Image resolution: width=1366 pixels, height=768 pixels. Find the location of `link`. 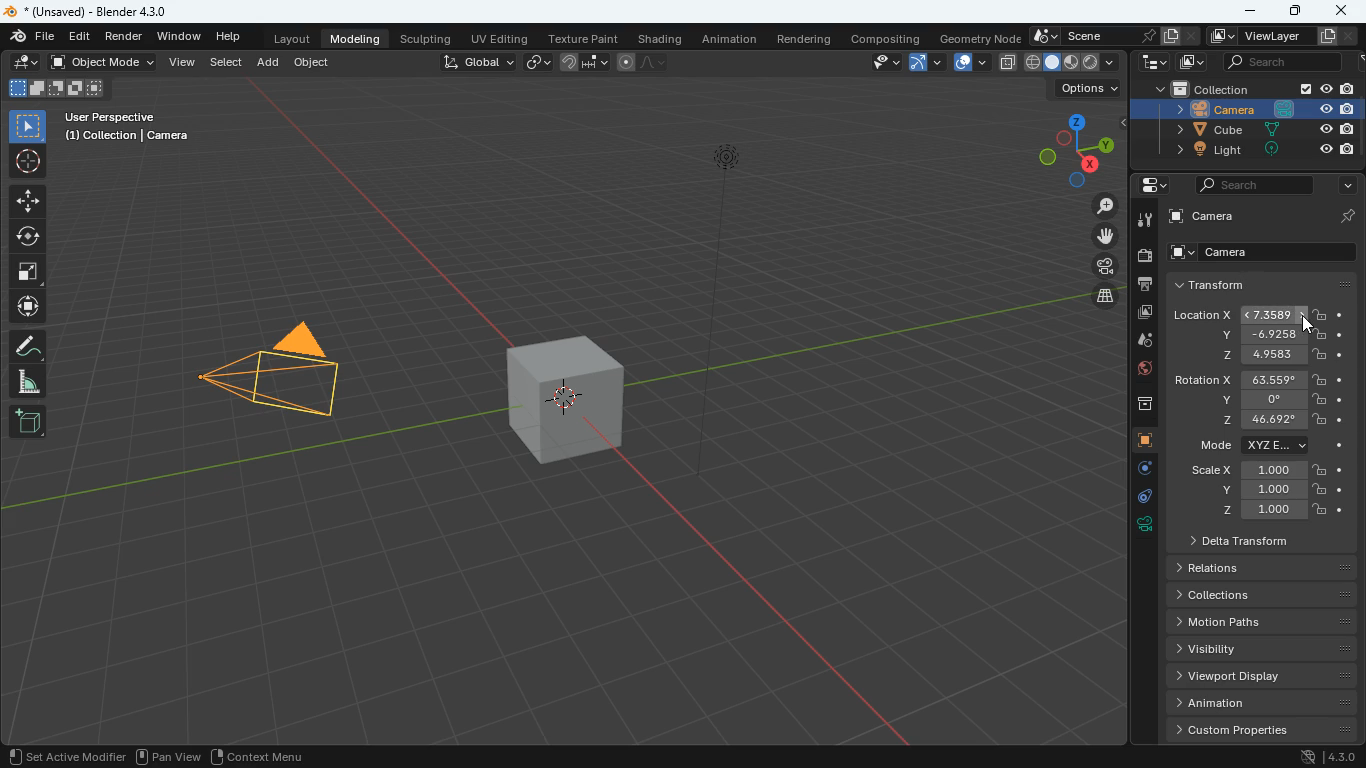

link is located at coordinates (535, 62).